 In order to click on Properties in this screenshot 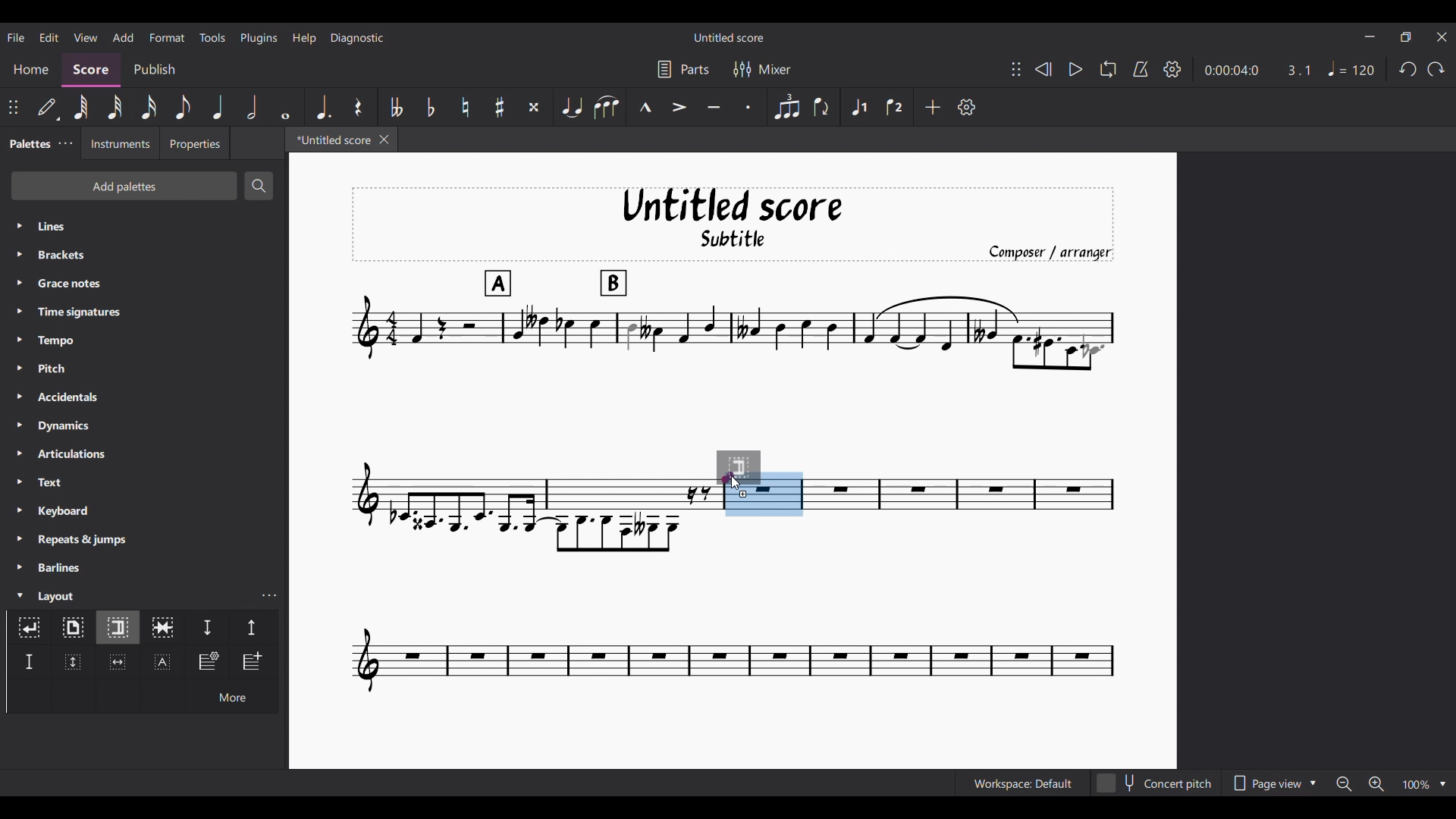, I will do `click(195, 143)`.